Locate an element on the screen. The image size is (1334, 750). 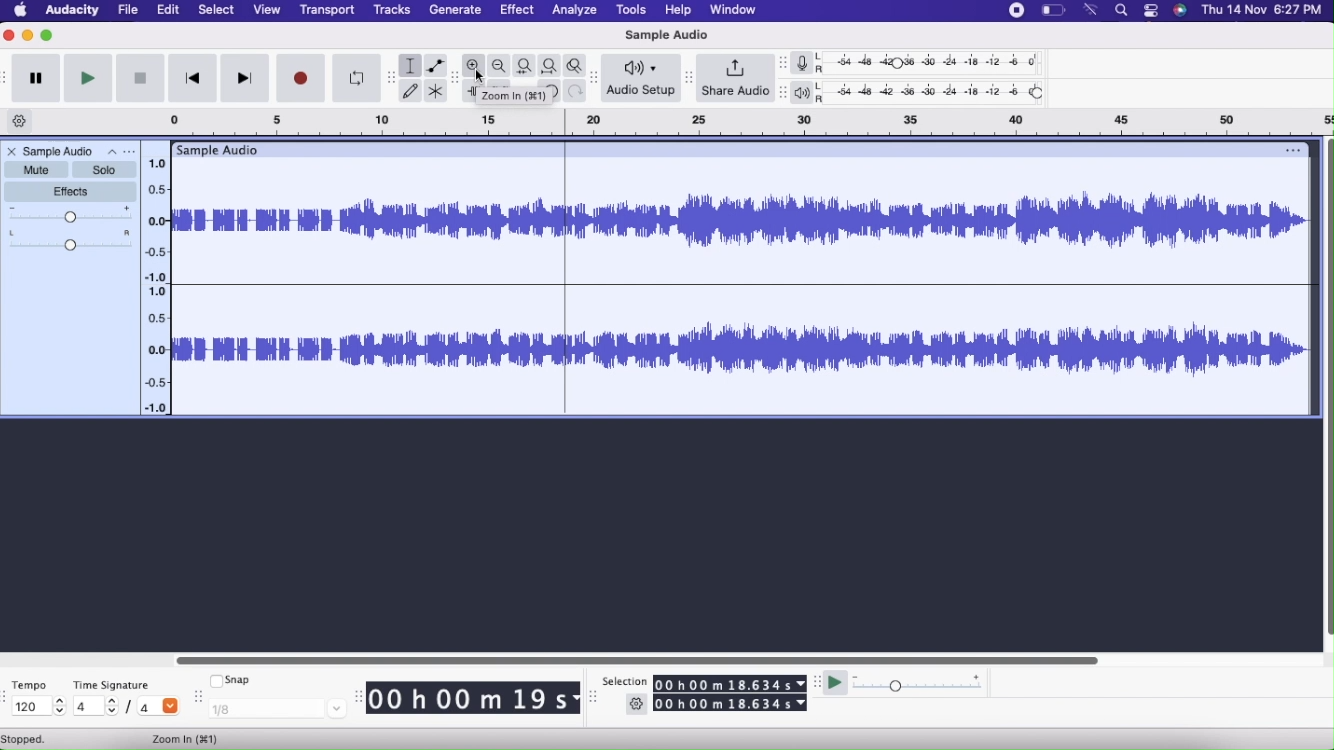
1/8 is located at coordinates (277, 710).